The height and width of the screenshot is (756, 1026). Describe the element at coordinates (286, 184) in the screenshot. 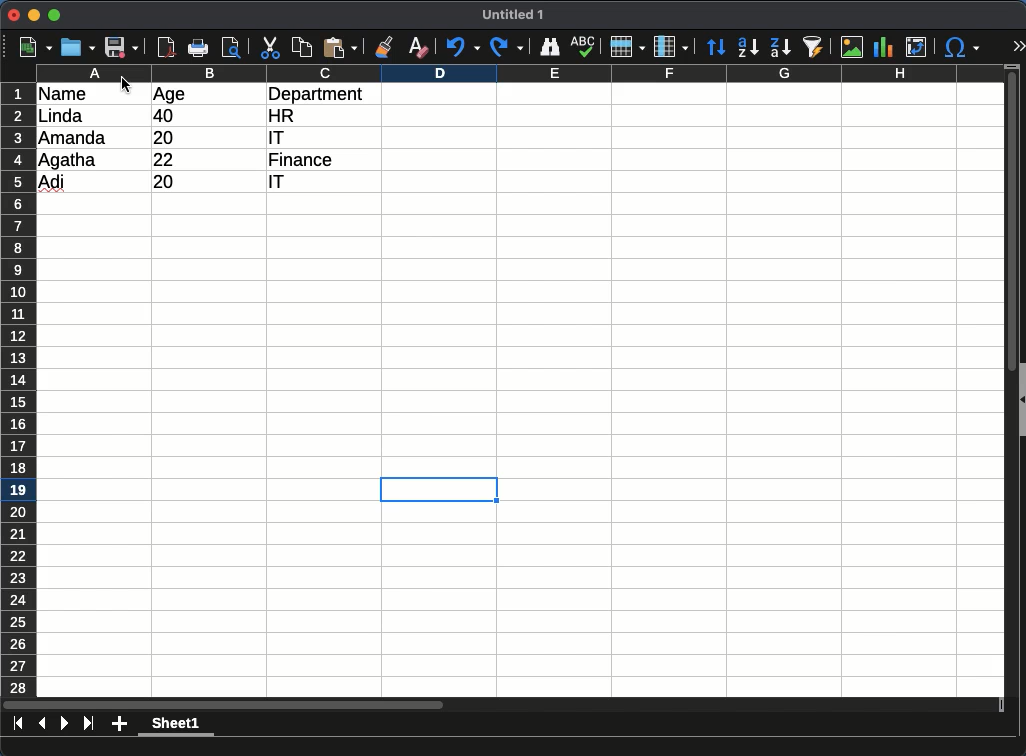

I see `it` at that location.